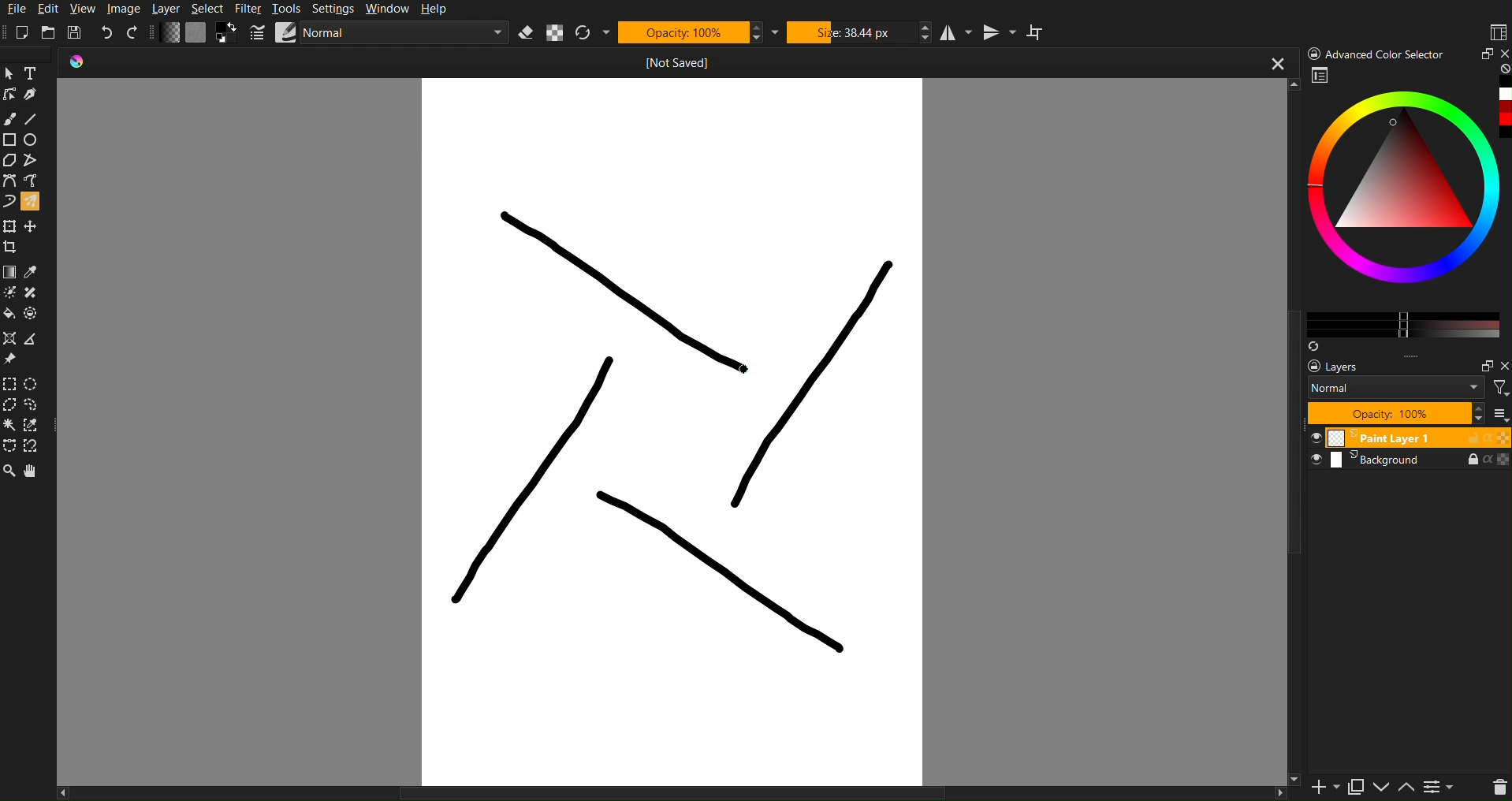  Describe the element at coordinates (1407, 208) in the screenshot. I see `Advanced Color Selector` at that location.